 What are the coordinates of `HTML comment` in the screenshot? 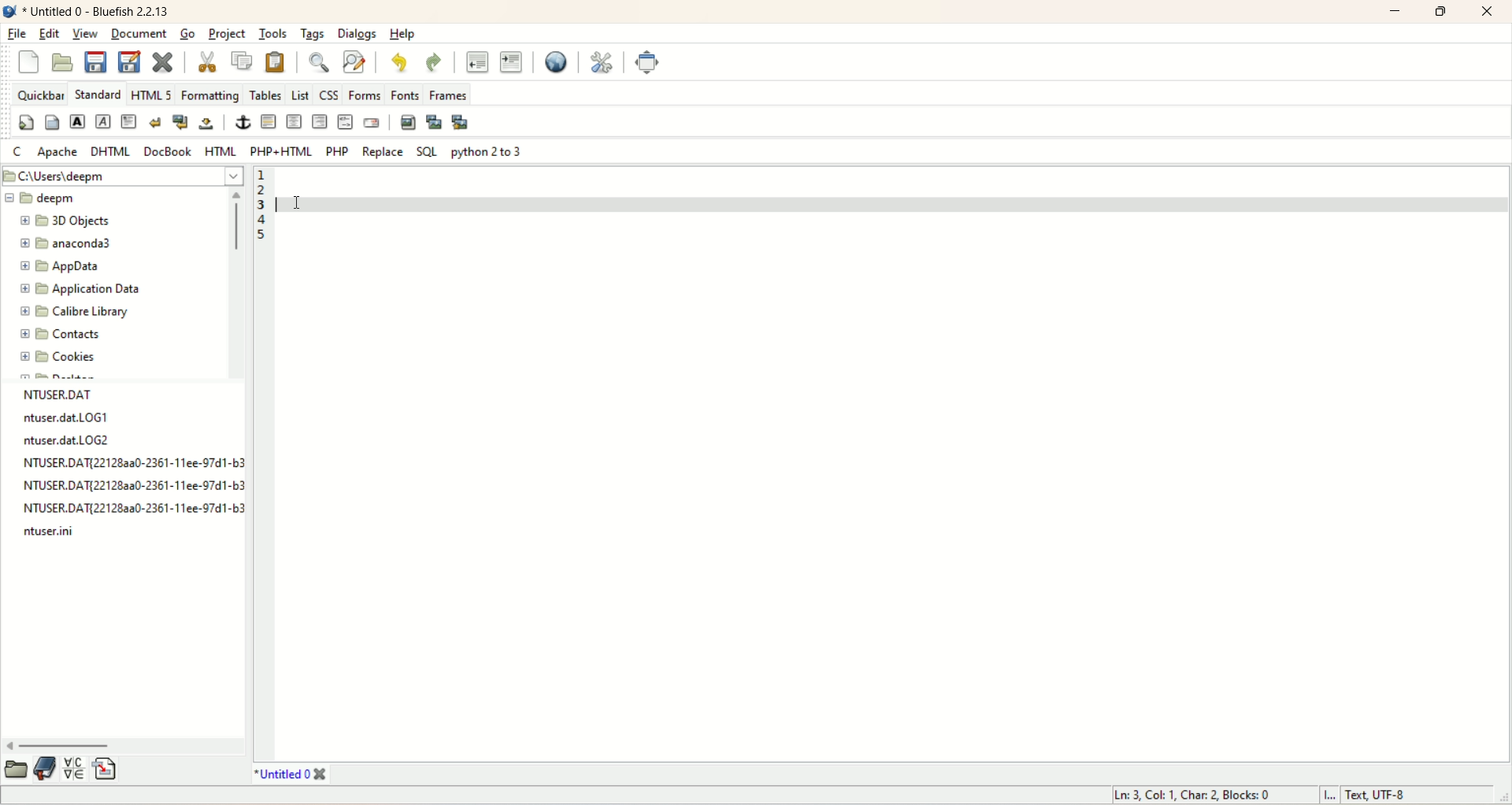 It's located at (344, 124).